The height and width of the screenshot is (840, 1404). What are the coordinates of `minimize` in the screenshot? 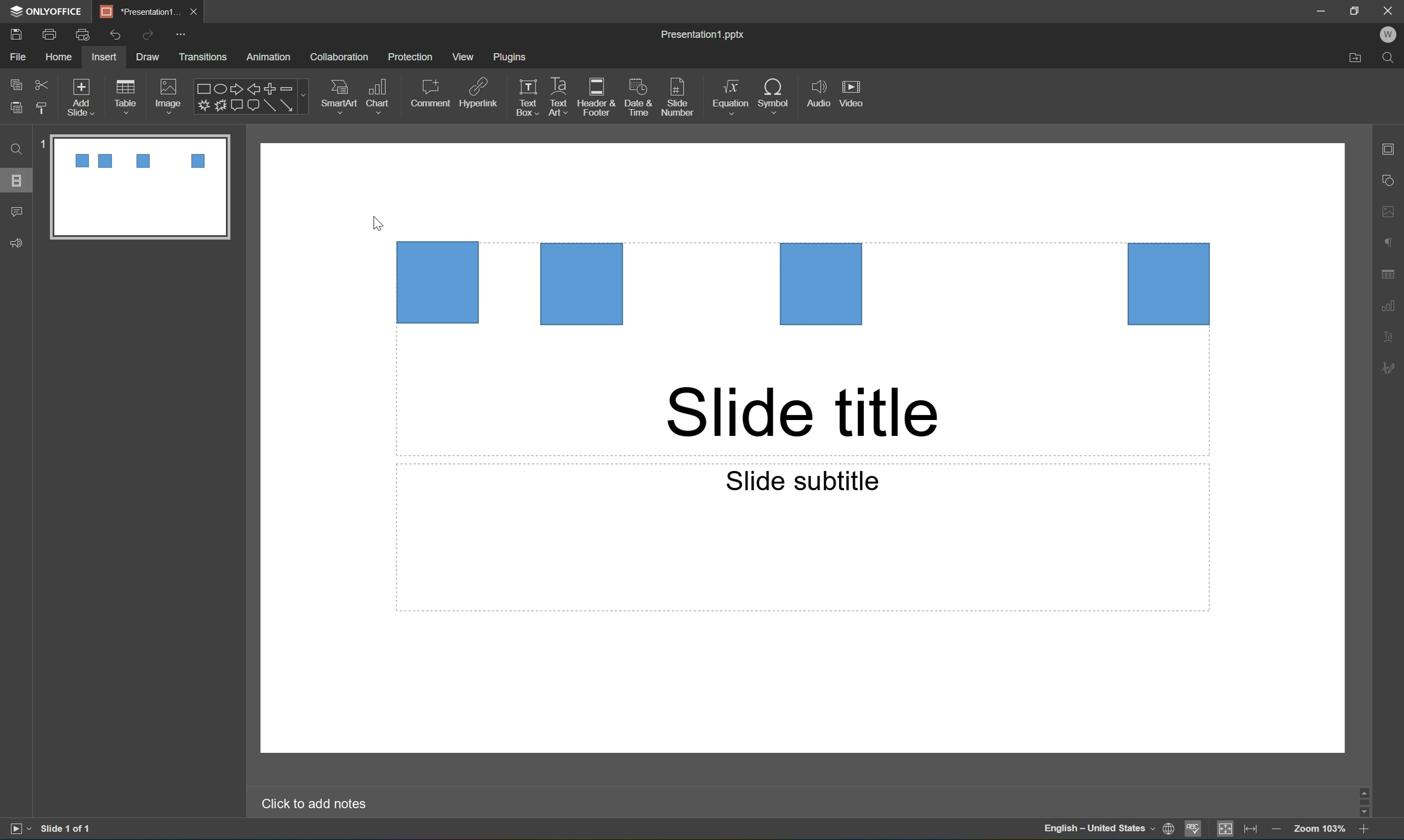 It's located at (1320, 9).